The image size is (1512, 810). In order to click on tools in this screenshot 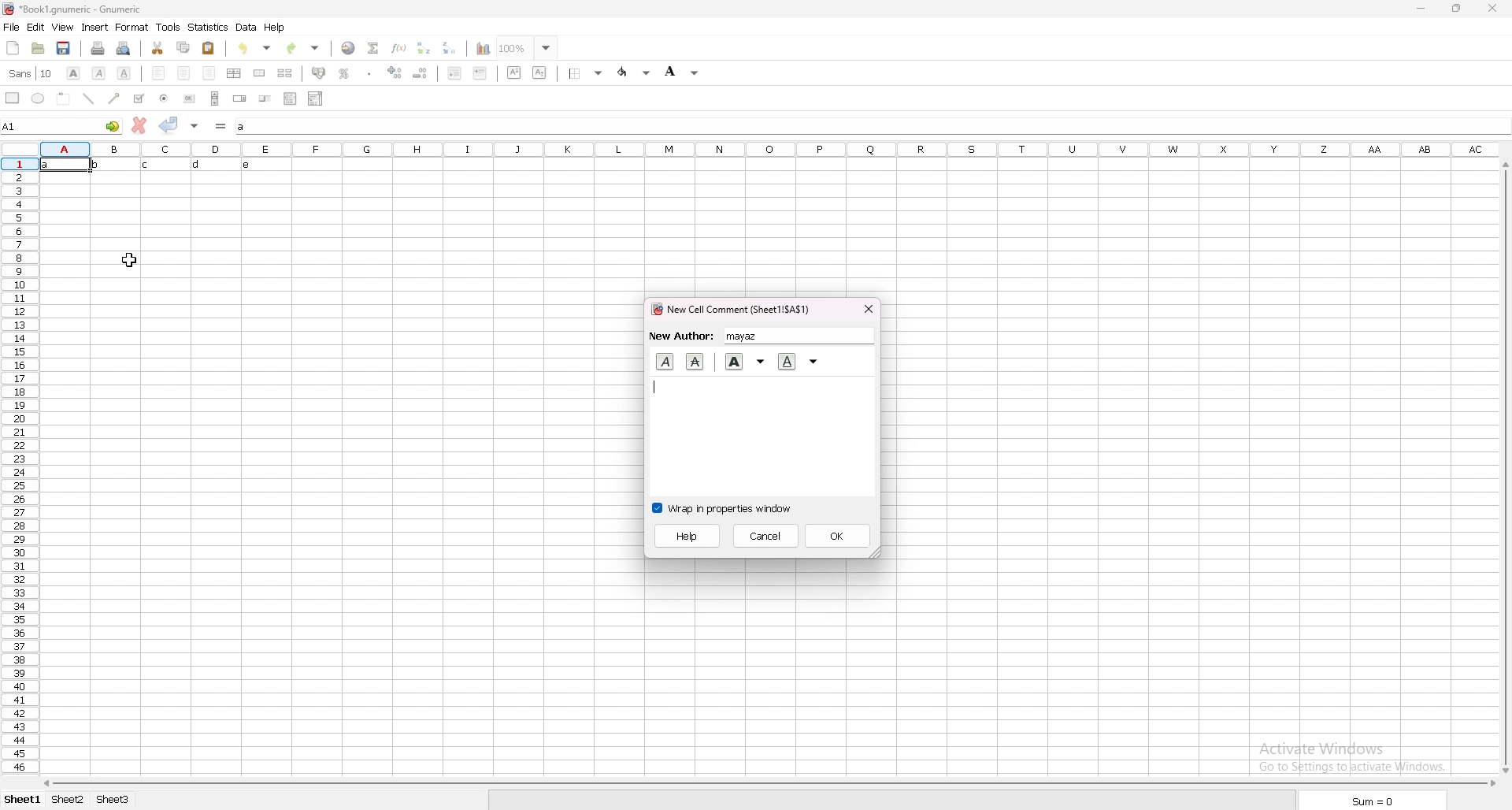, I will do `click(169, 28)`.